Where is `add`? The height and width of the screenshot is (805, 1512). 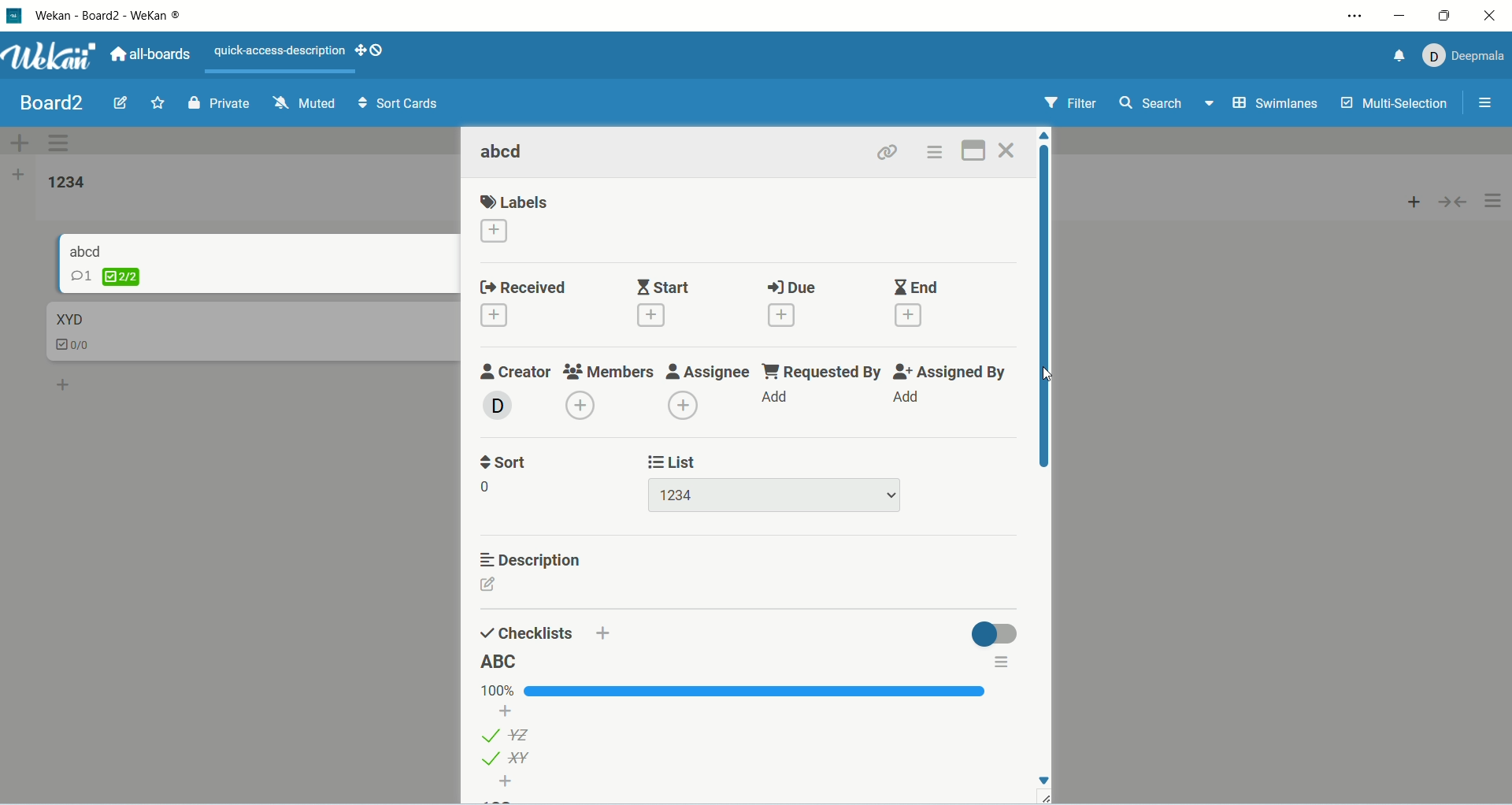 add is located at coordinates (65, 384).